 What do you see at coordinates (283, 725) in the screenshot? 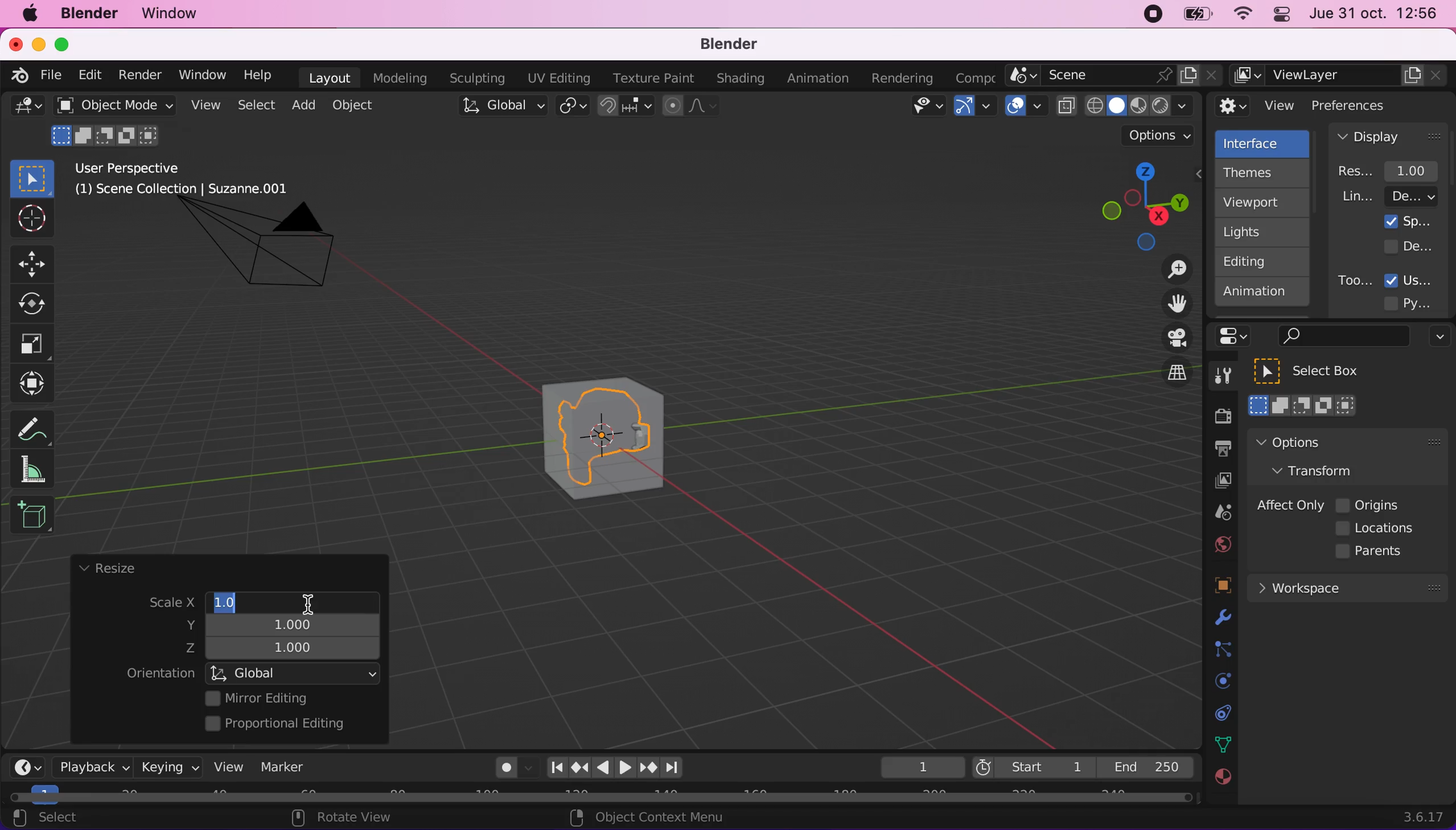
I see `proportional editing` at bounding box center [283, 725].